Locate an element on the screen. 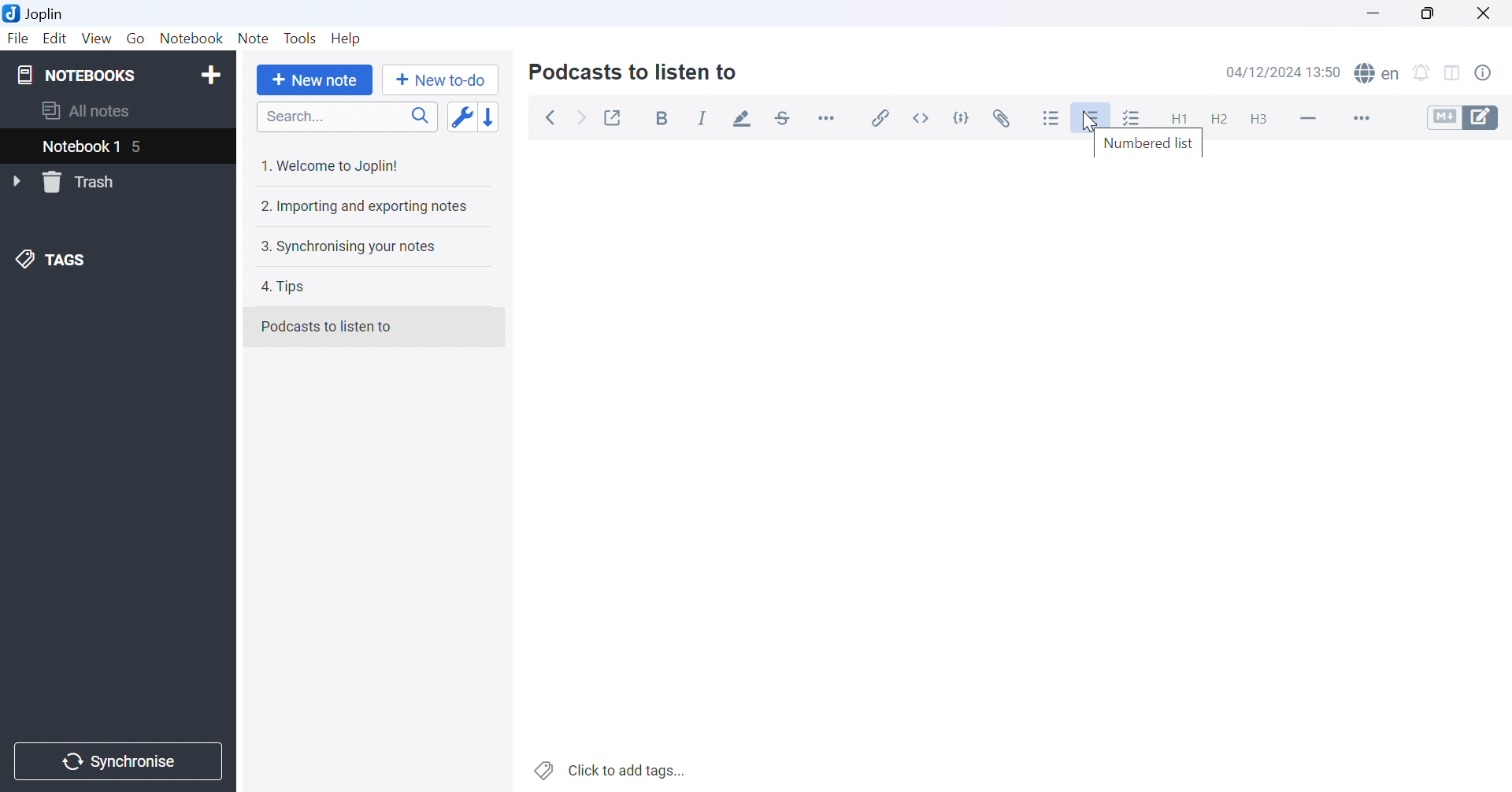  Help is located at coordinates (350, 39).